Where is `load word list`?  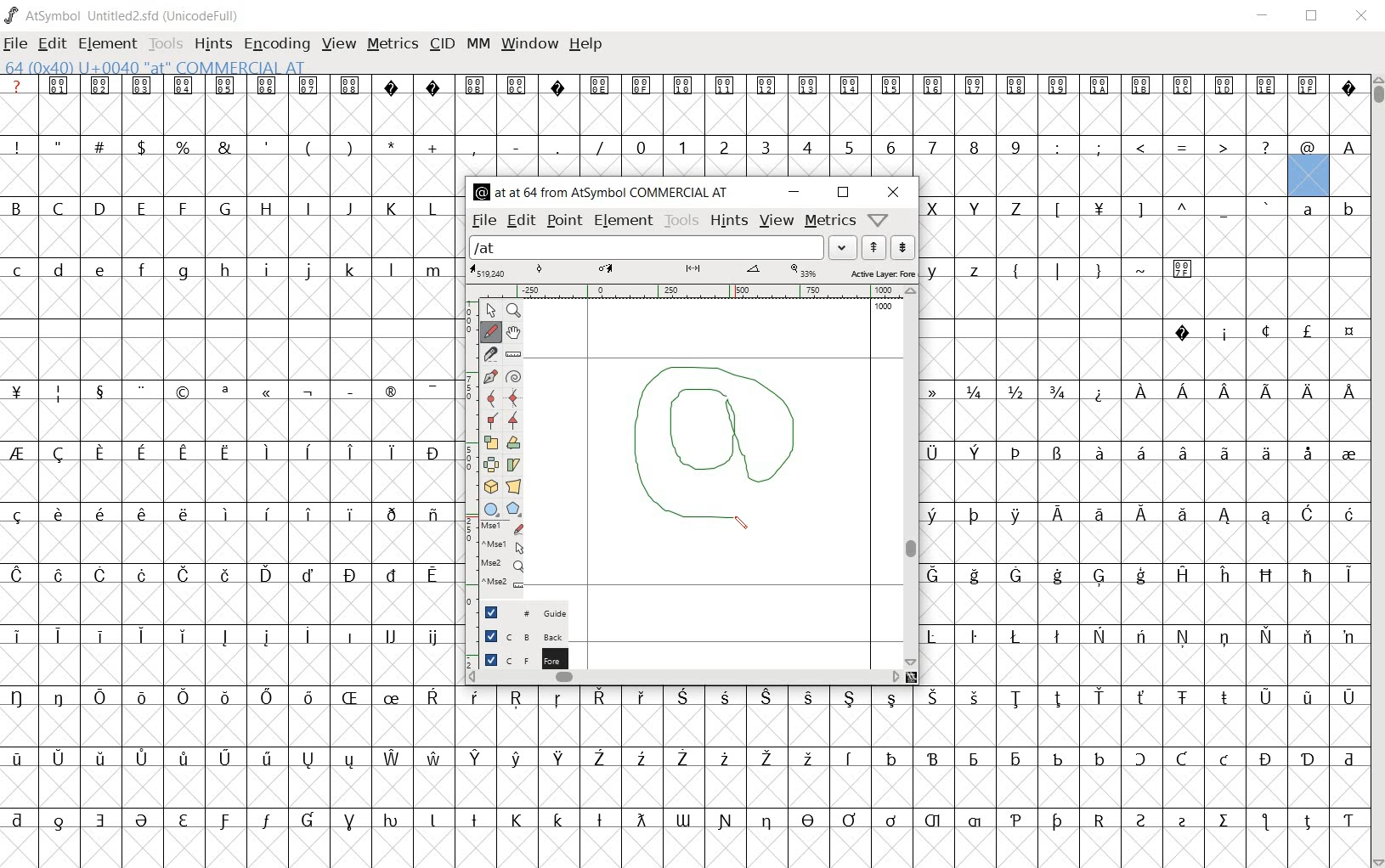
load word list is located at coordinates (647, 247).